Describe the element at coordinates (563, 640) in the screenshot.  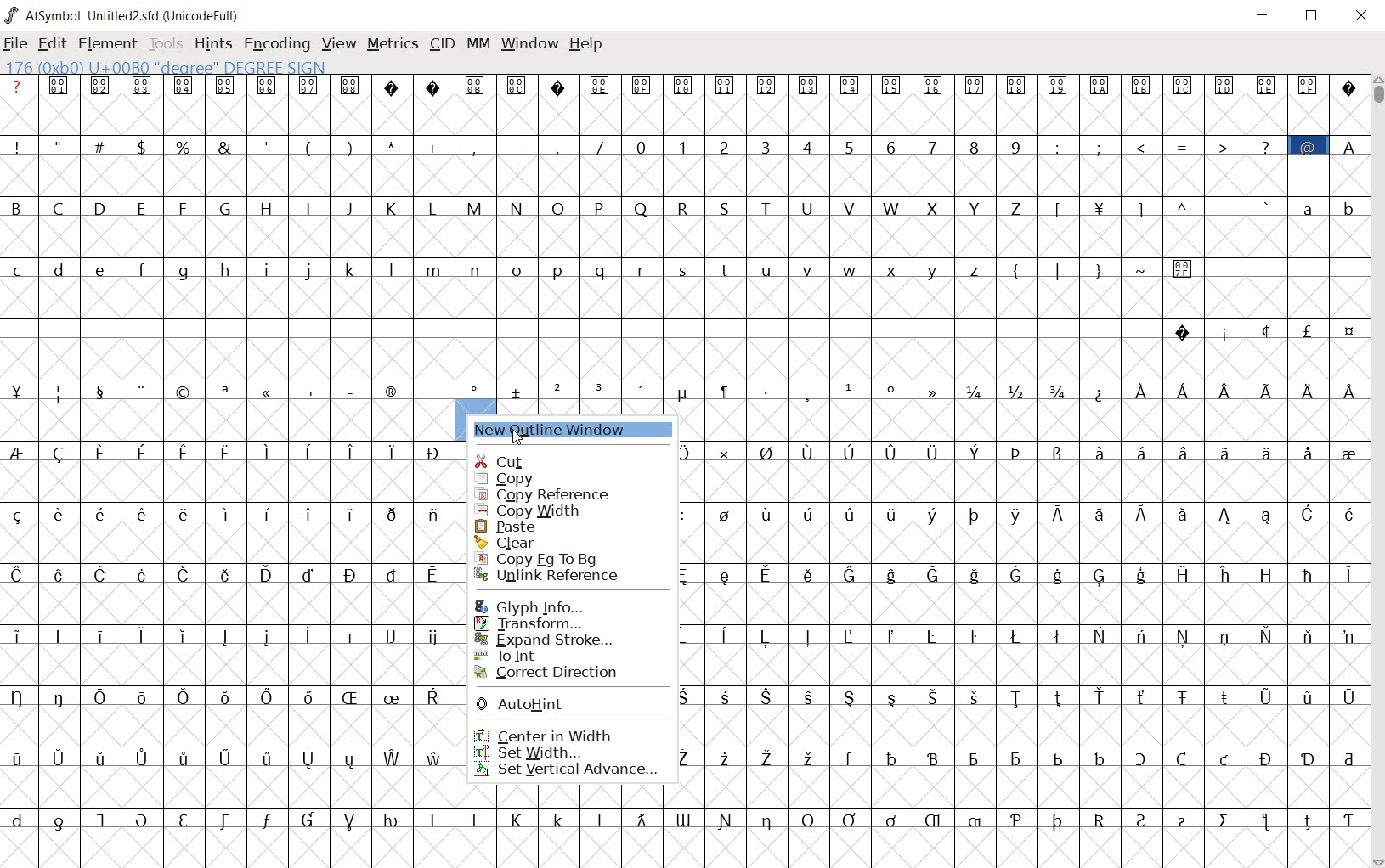
I see `Expand Stroke` at that location.